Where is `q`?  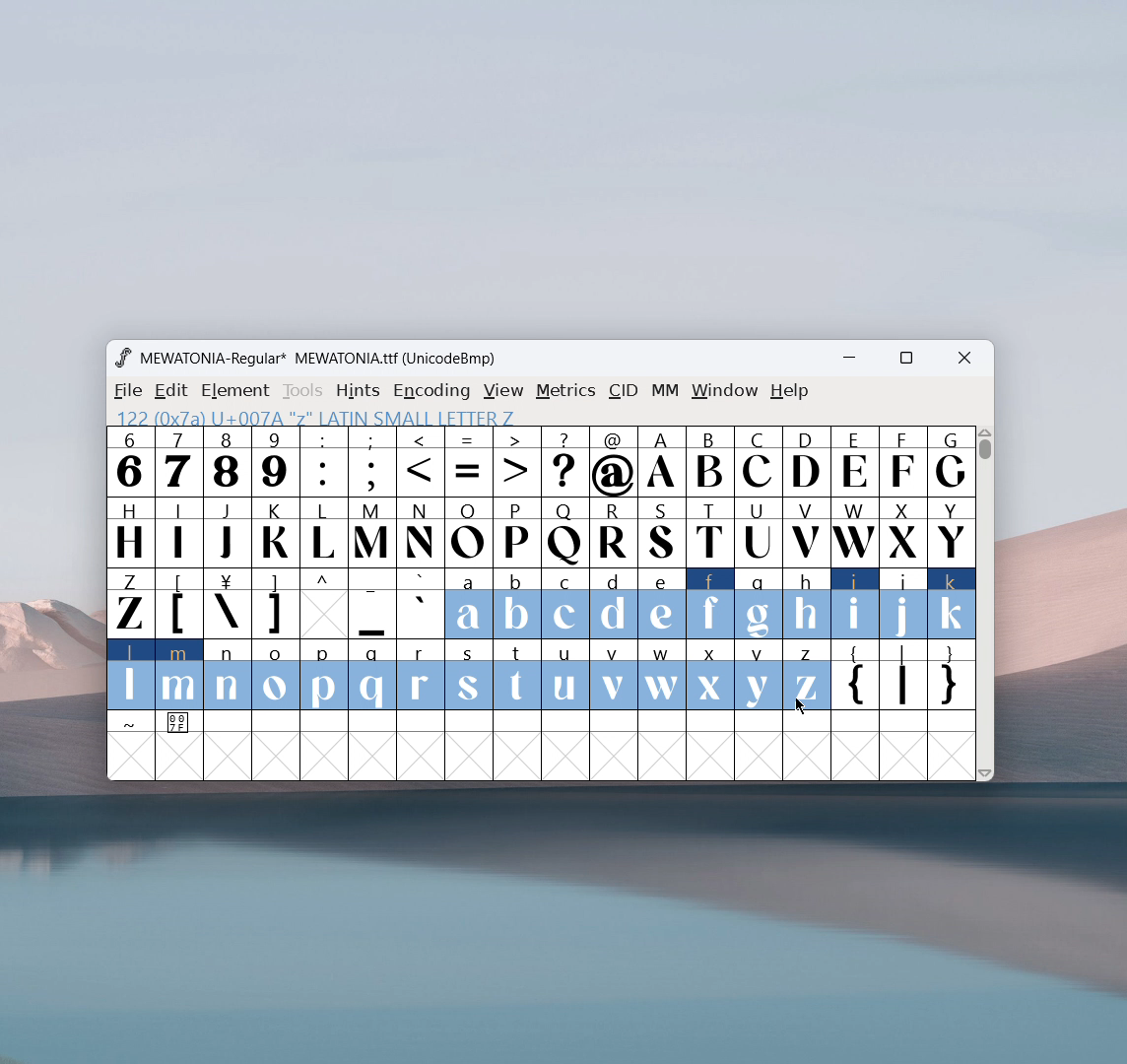 q is located at coordinates (372, 676).